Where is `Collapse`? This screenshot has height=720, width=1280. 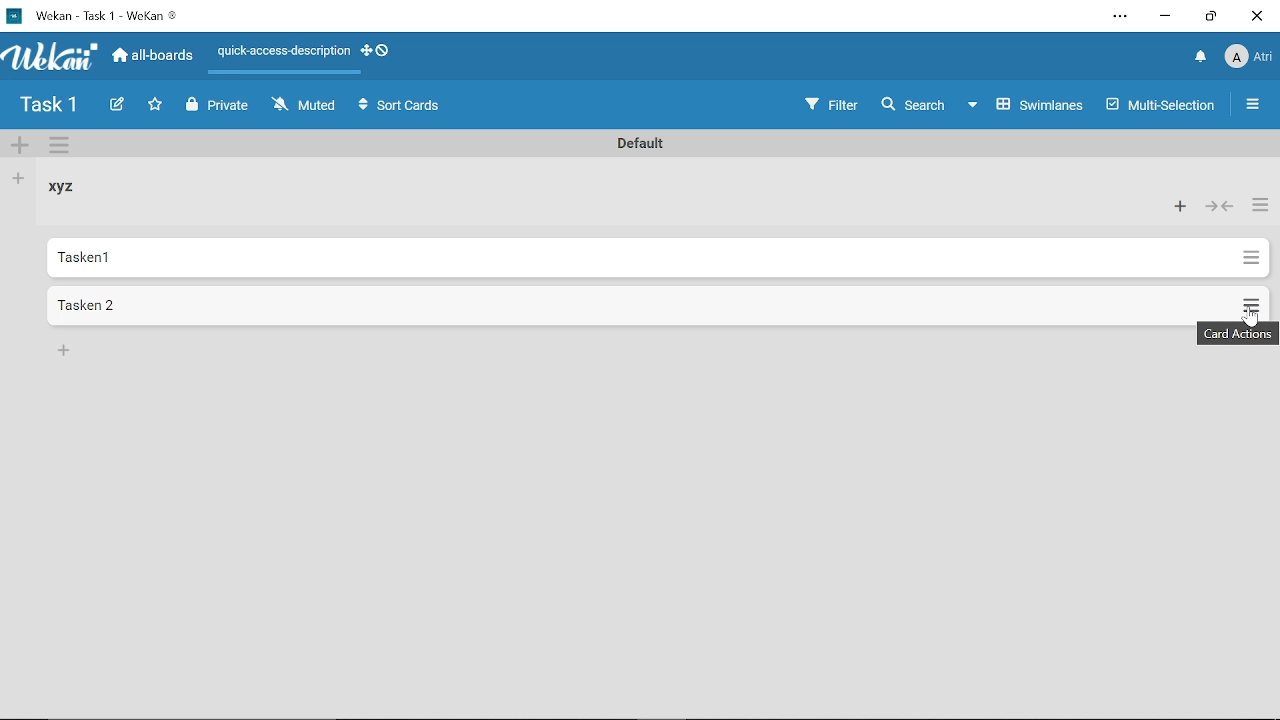 Collapse is located at coordinates (1219, 209).